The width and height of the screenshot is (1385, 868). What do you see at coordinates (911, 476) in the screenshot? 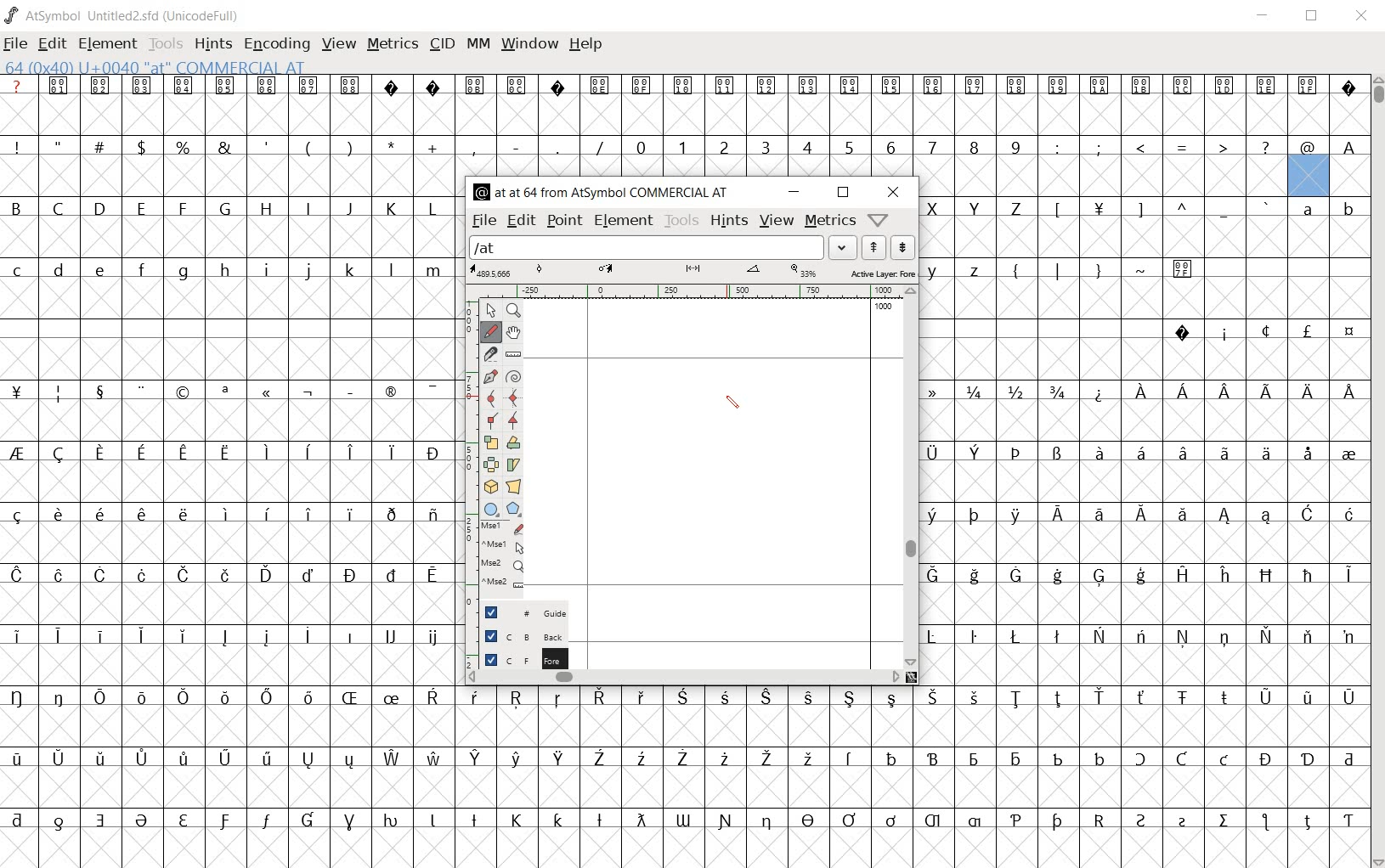
I see `scrollbar` at bounding box center [911, 476].